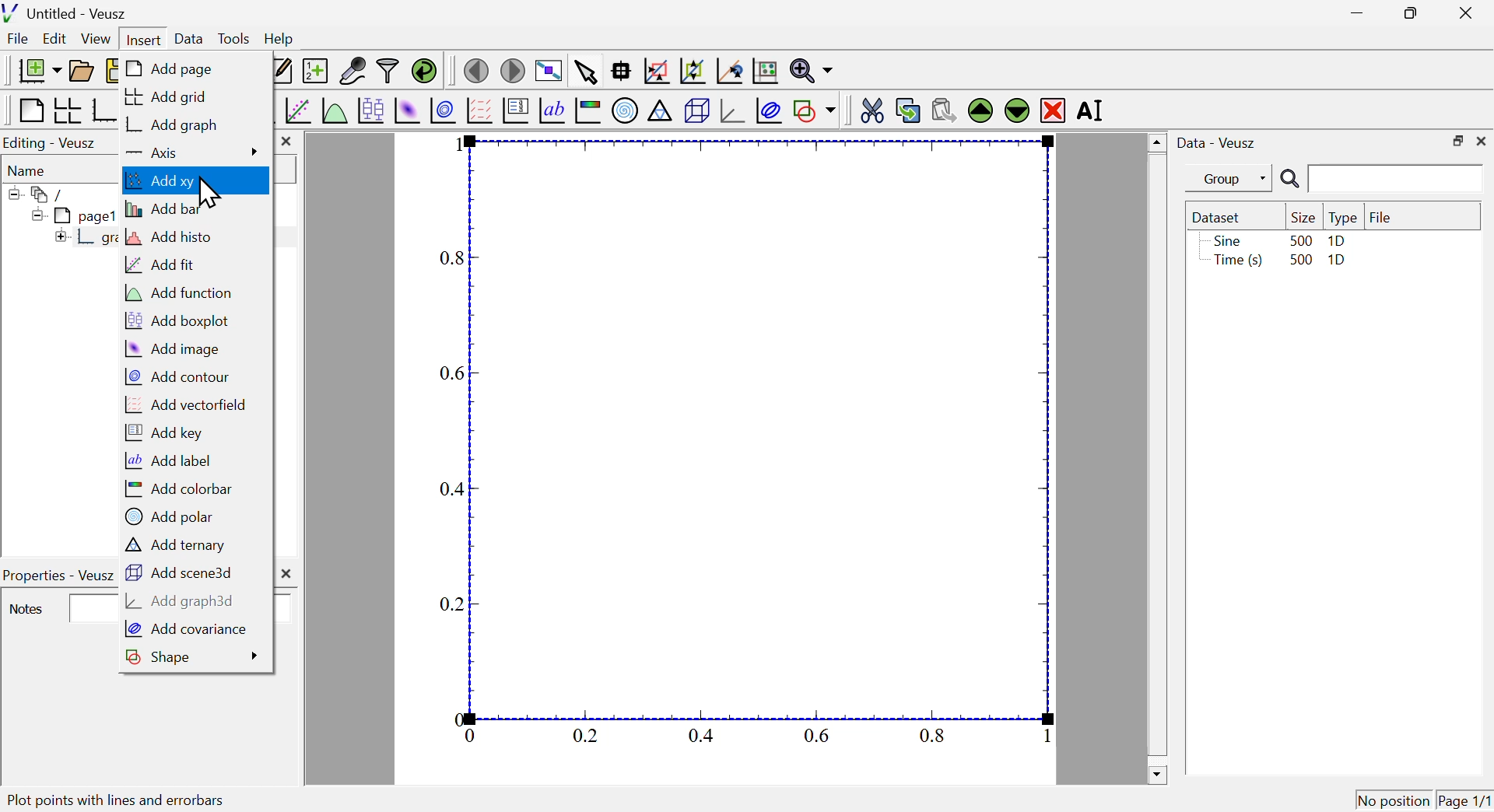 This screenshot has width=1494, height=812. Describe the element at coordinates (1217, 142) in the screenshot. I see `data veusz` at that location.